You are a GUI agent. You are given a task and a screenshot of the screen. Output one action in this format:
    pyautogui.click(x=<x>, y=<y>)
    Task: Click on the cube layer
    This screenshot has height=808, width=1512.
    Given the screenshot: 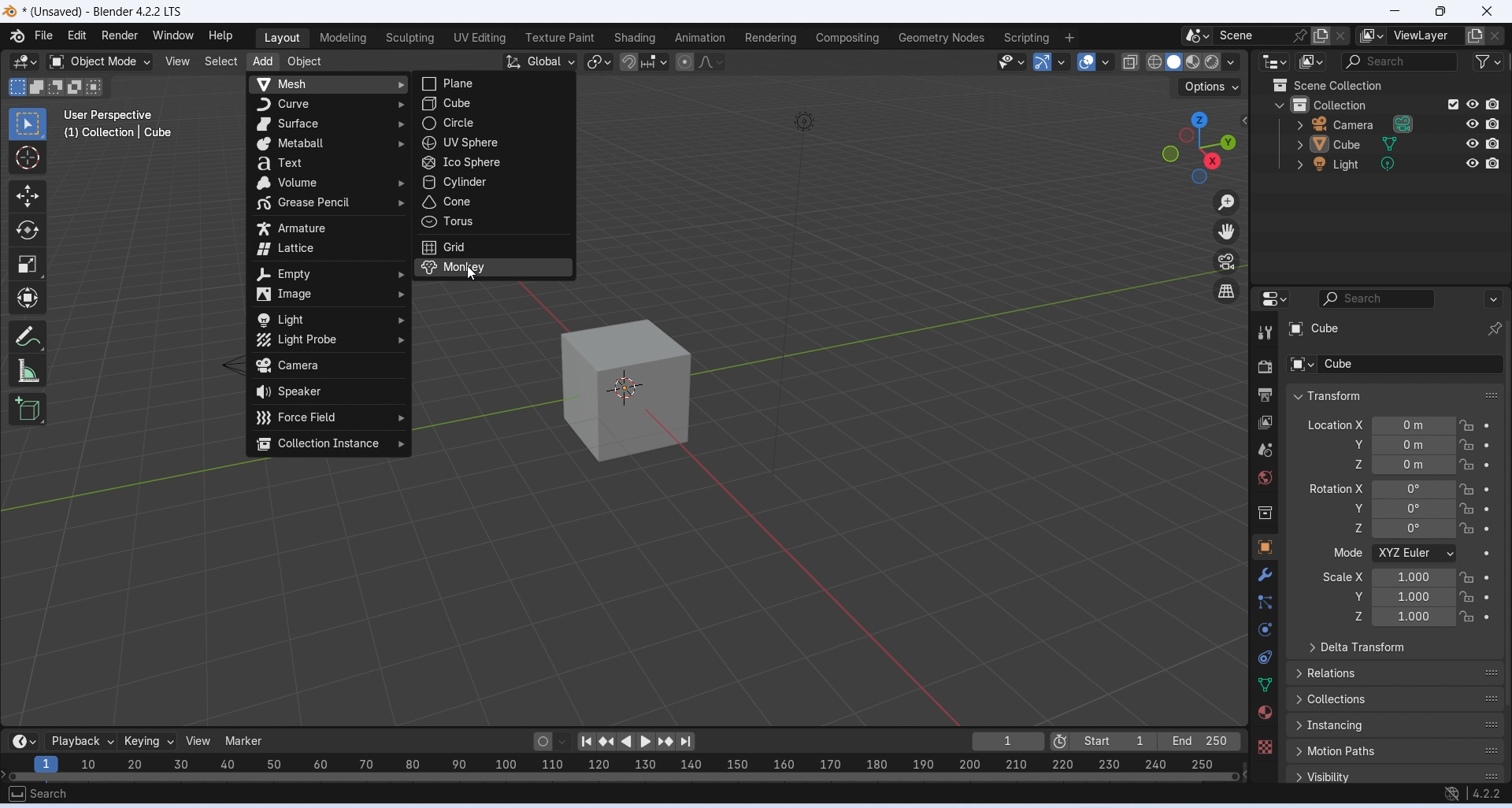 What is the action you would take?
    pyautogui.click(x=1369, y=144)
    